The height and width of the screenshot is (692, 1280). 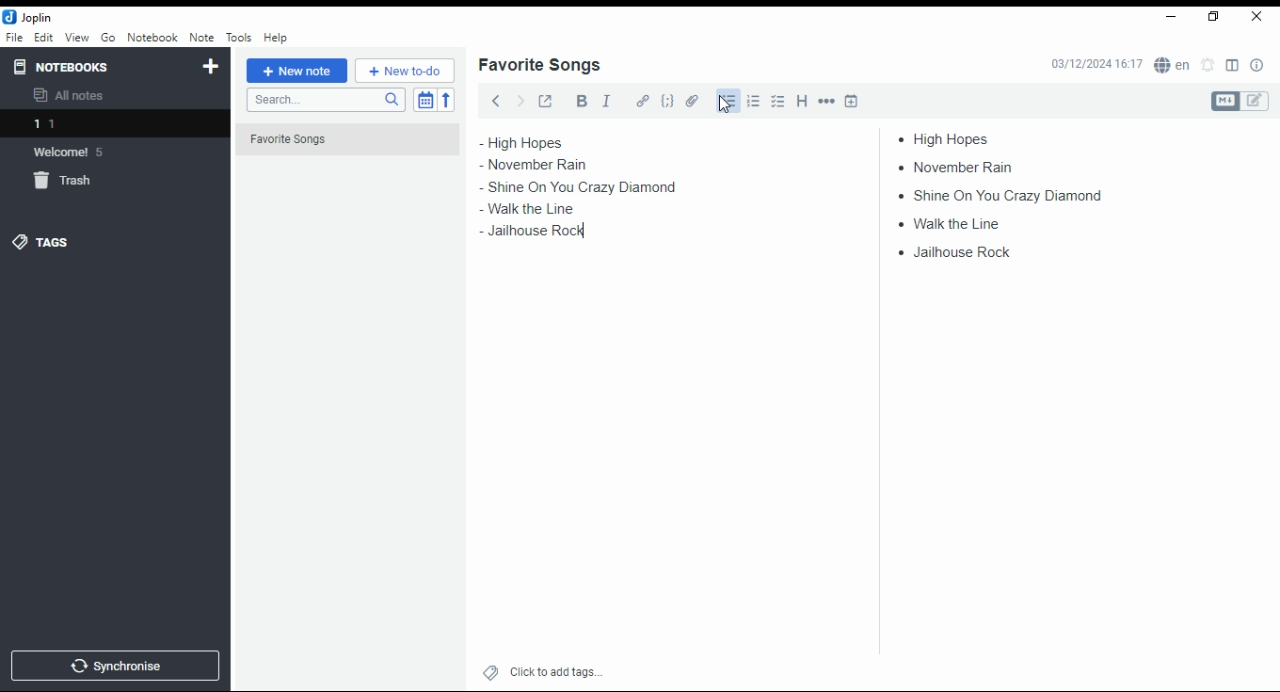 I want to click on jailhouse rock, so click(x=531, y=234).